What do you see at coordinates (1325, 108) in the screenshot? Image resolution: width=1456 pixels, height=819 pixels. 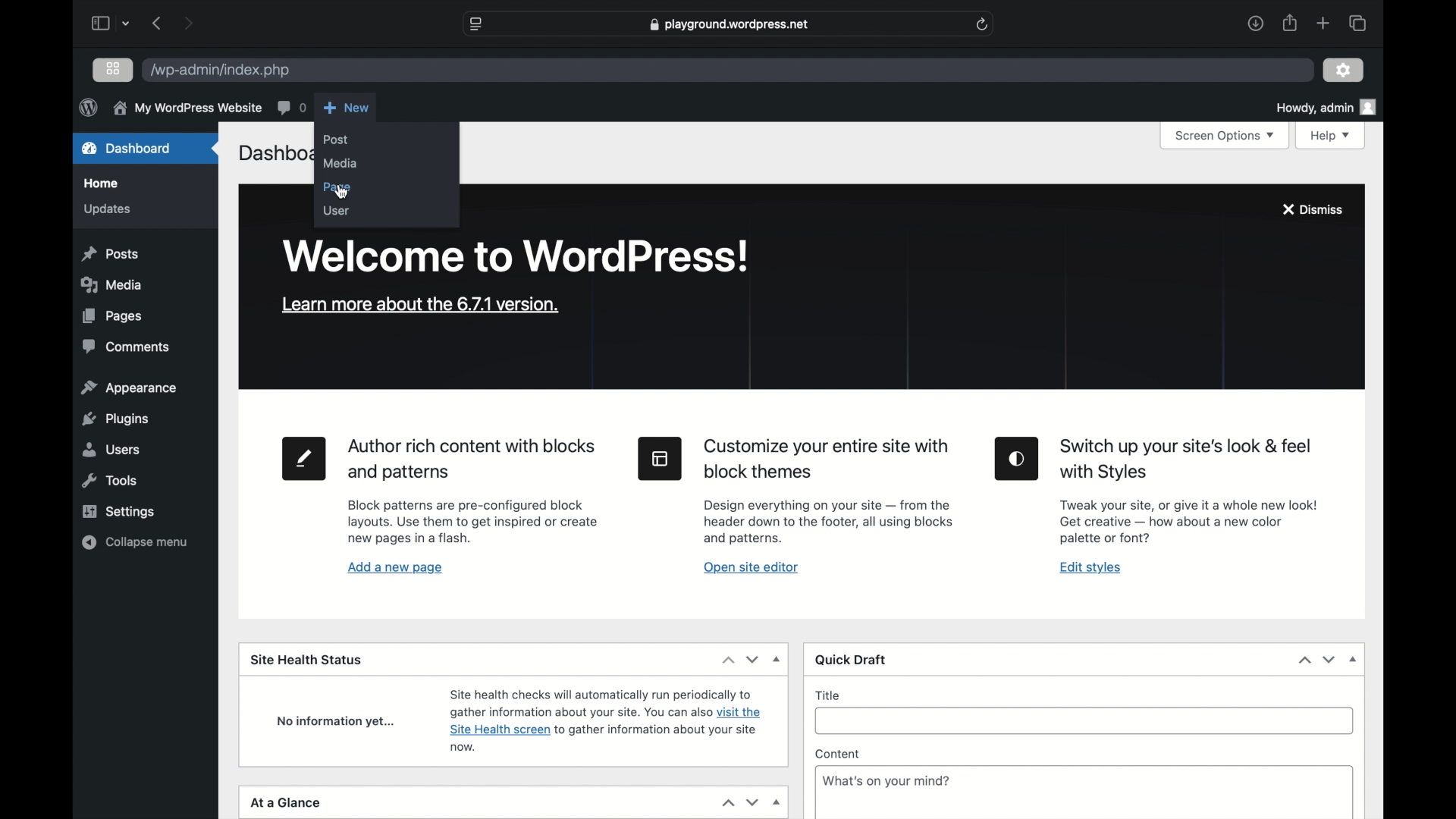 I see `howdy admin` at bounding box center [1325, 108].